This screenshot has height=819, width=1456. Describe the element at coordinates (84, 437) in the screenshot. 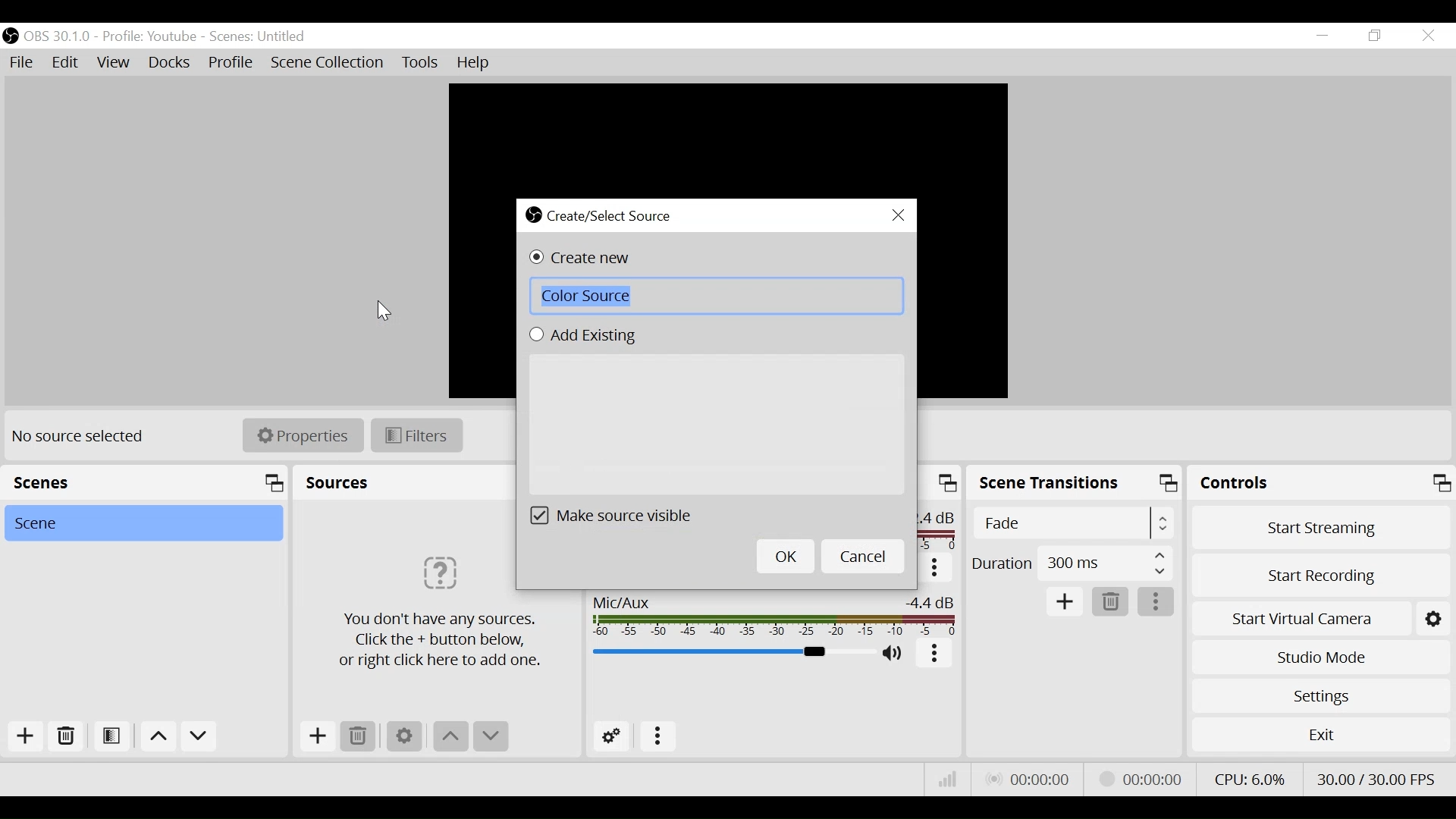

I see `No source selected` at that location.